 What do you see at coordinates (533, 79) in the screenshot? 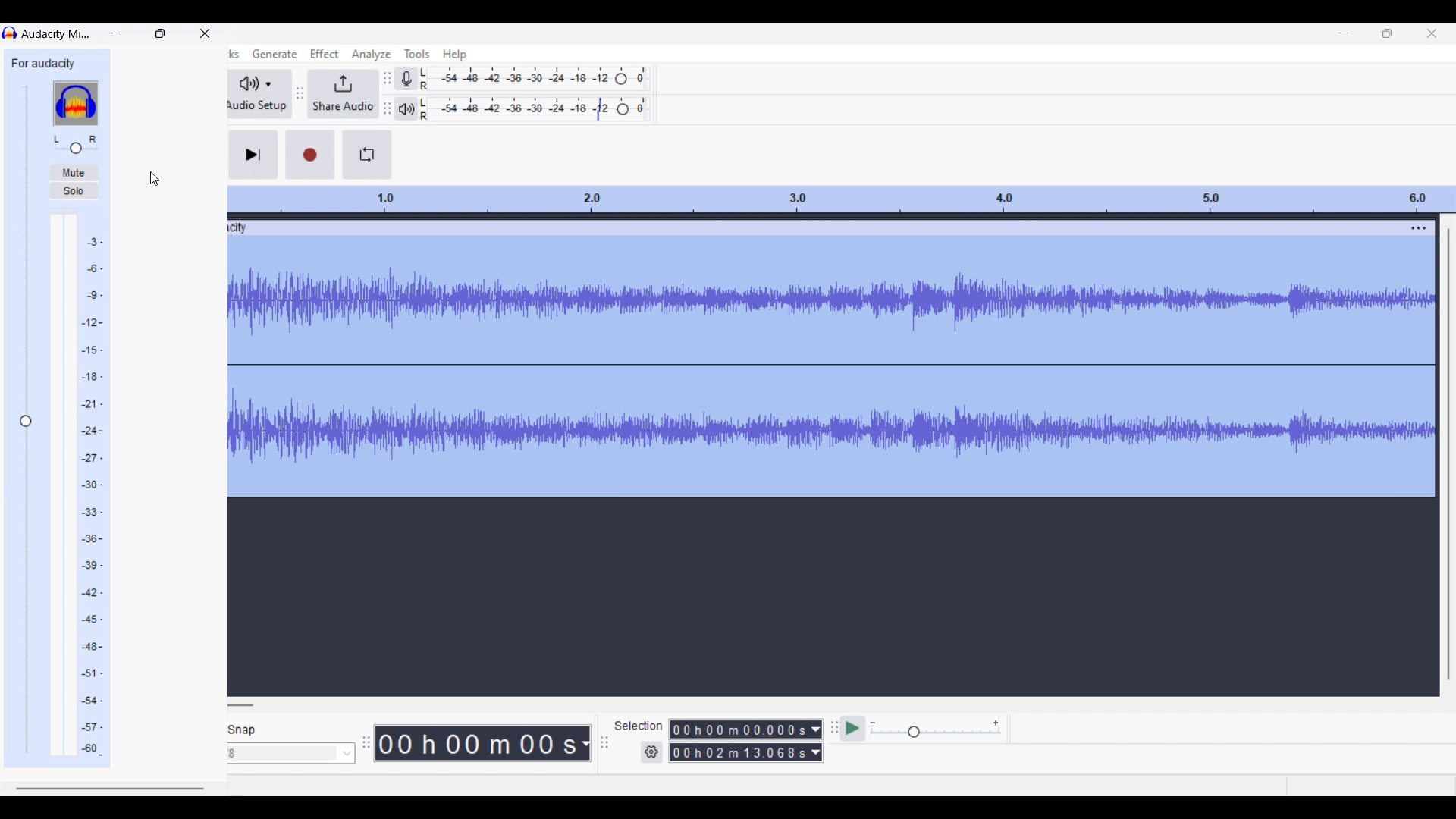
I see `Recording level` at bounding box center [533, 79].